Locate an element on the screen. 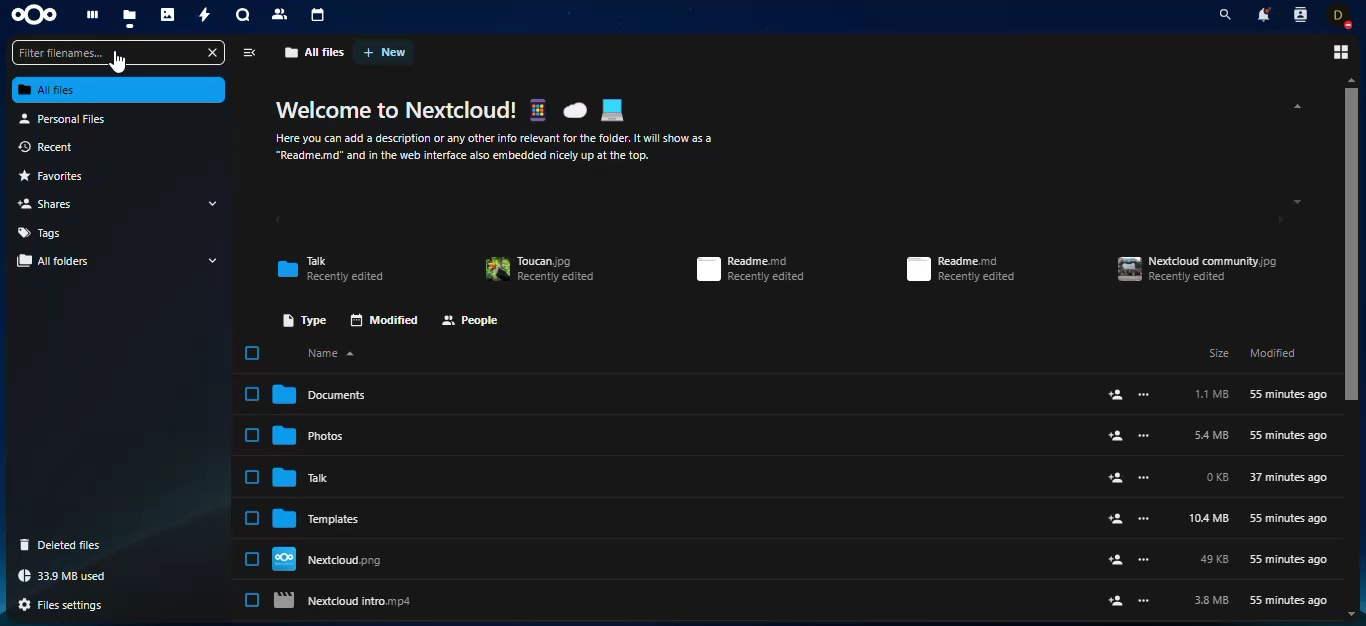 The height and width of the screenshot is (626, 1366). more is located at coordinates (1144, 519).